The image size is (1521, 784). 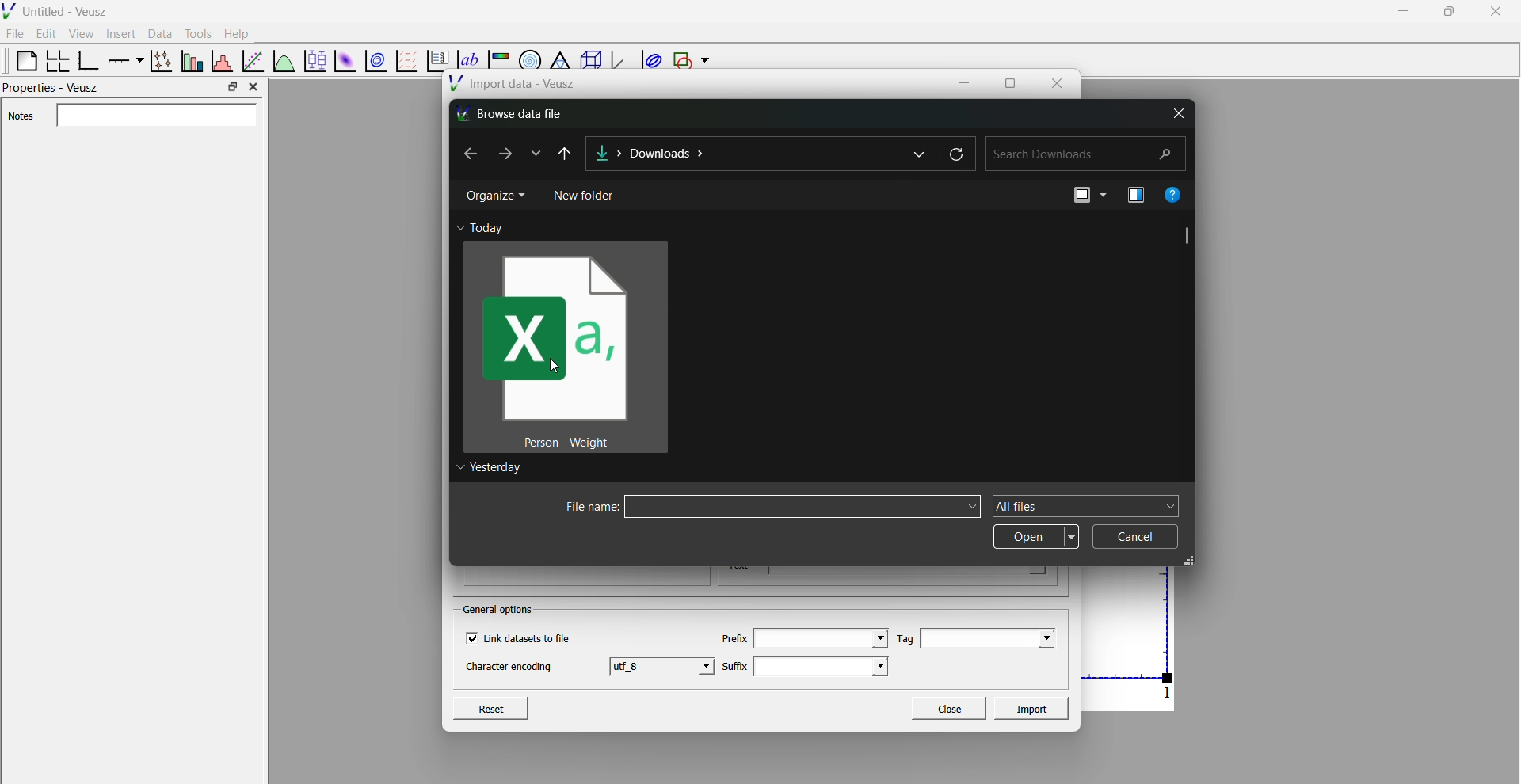 I want to click on close, so click(x=1179, y=112).